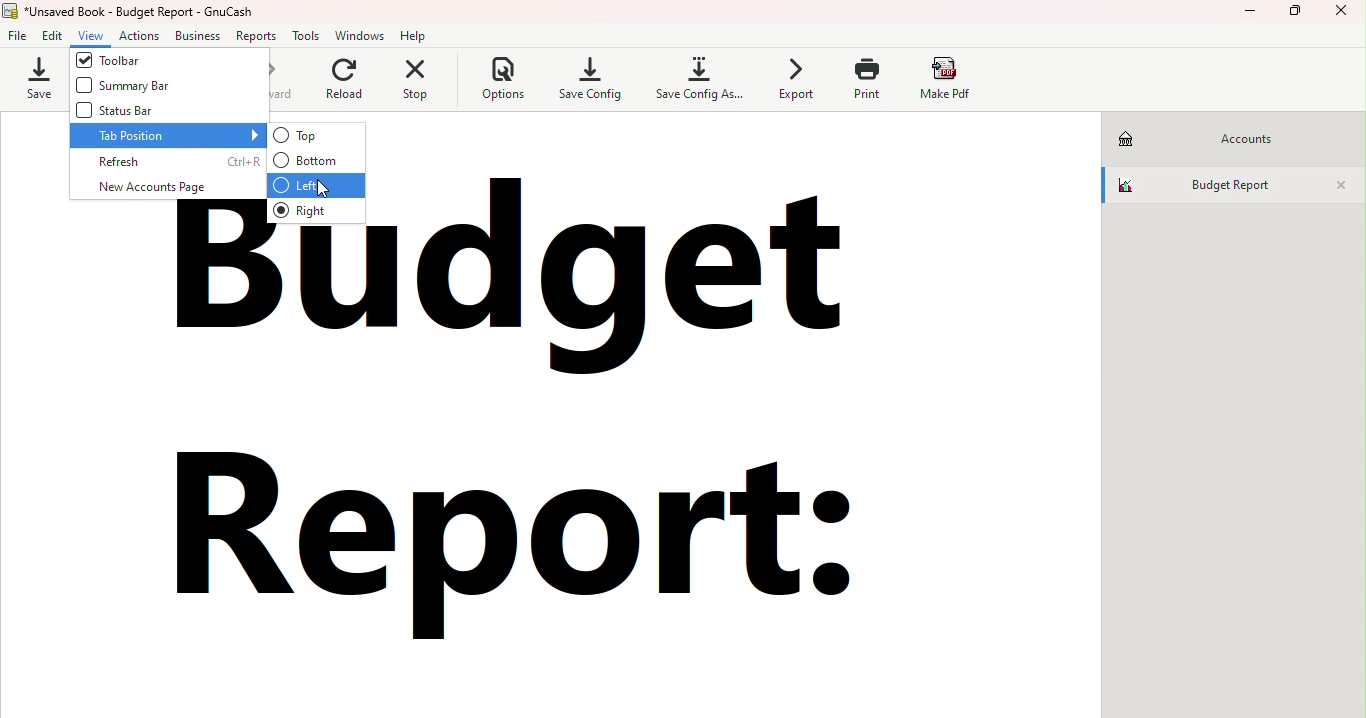 Image resolution: width=1366 pixels, height=718 pixels. I want to click on Actions, so click(139, 35).